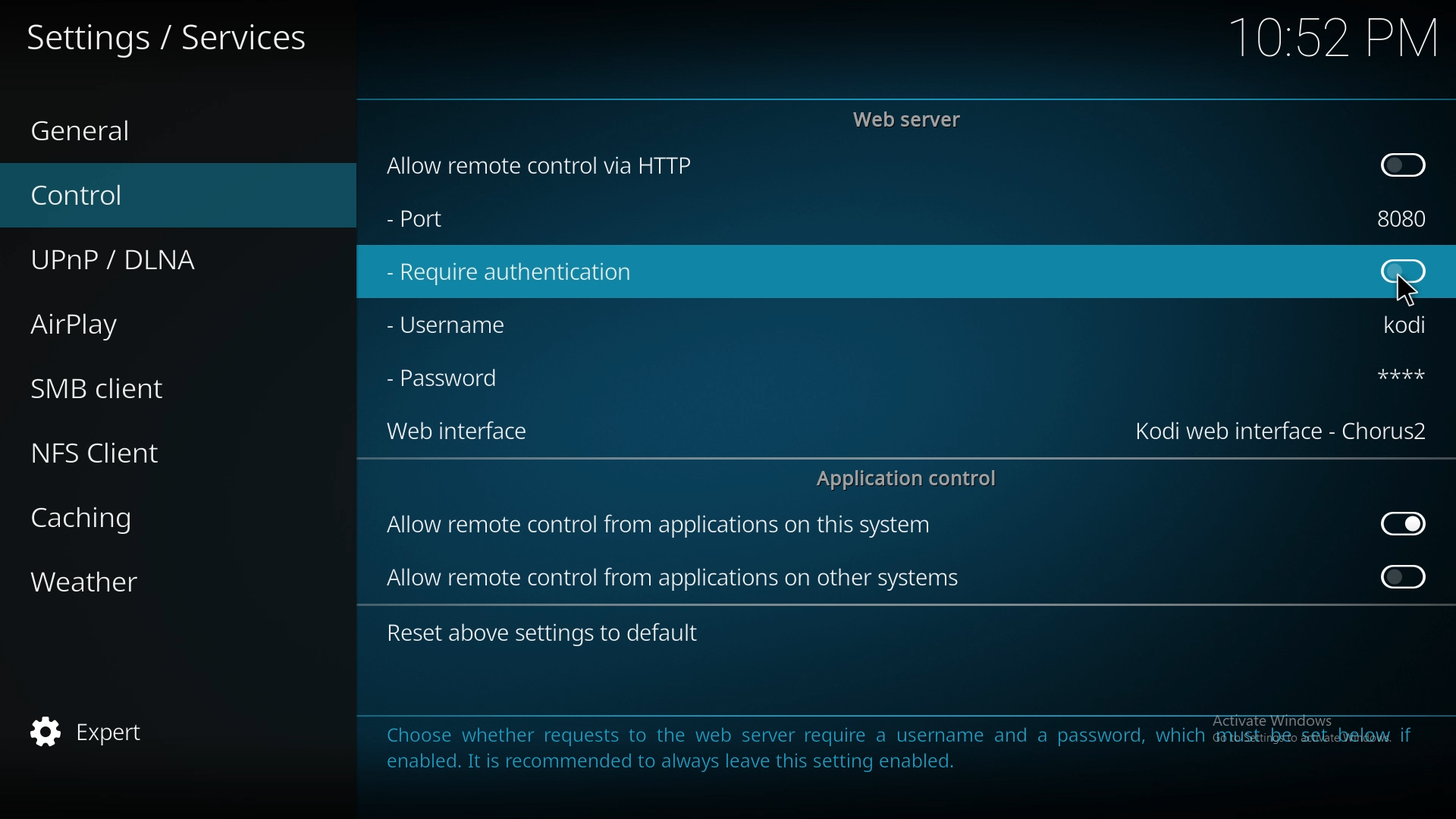 The width and height of the screenshot is (1456, 819). Describe the element at coordinates (155, 514) in the screenshot. I see `caching` at that location.